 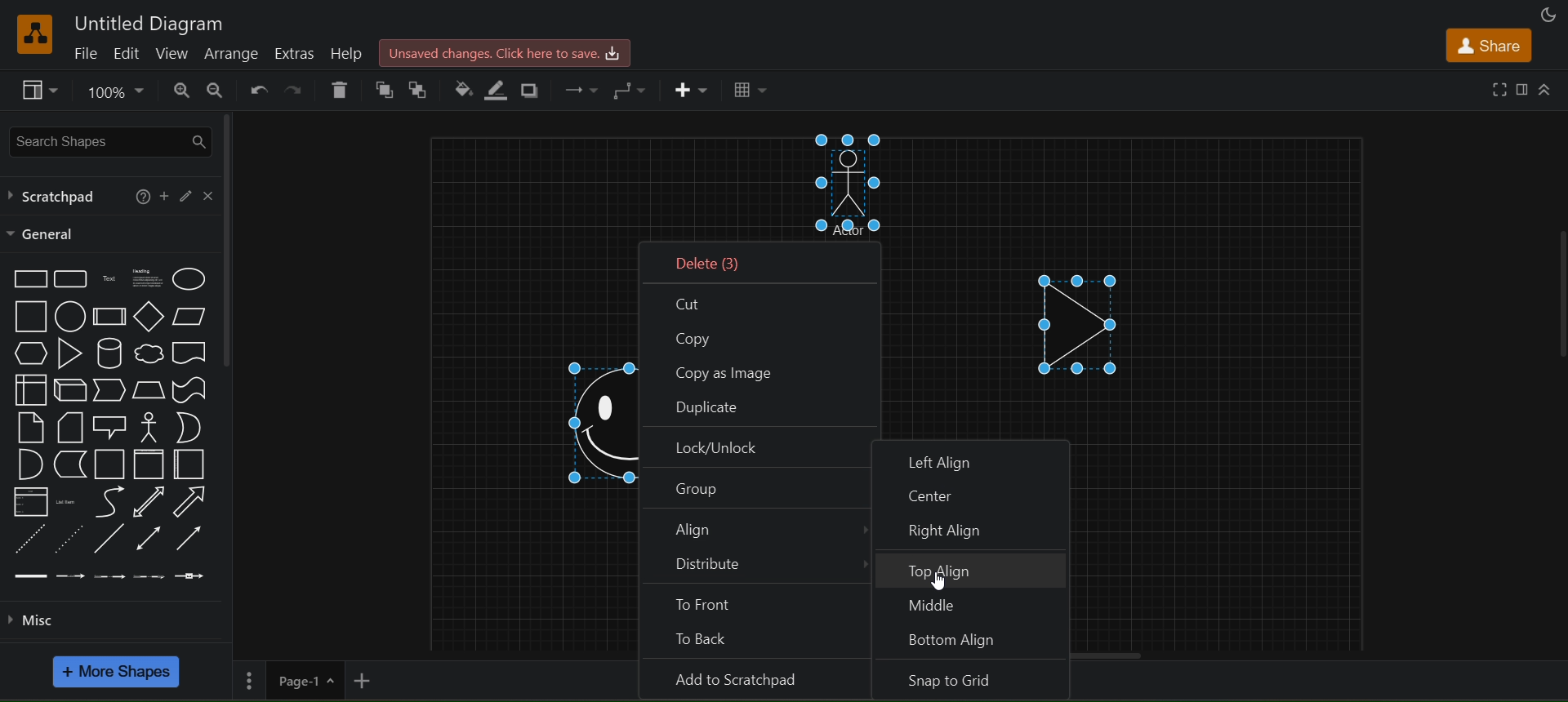 What do you see at coordinates (765, 260) in the screenshot?
I see `delete` at bounding box center [765, 260].